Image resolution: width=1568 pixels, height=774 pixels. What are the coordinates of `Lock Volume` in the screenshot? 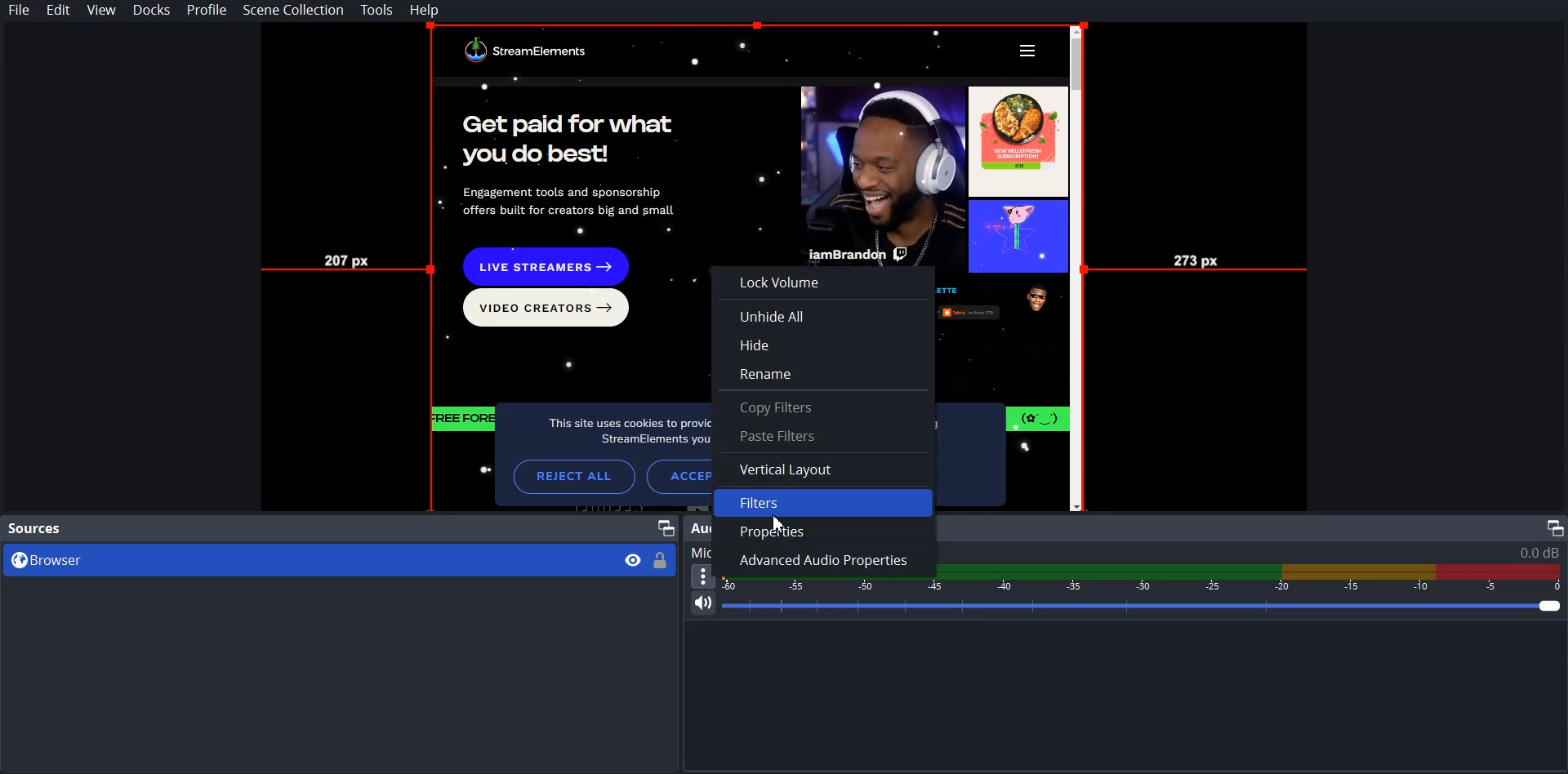 It's located at (823, 284).